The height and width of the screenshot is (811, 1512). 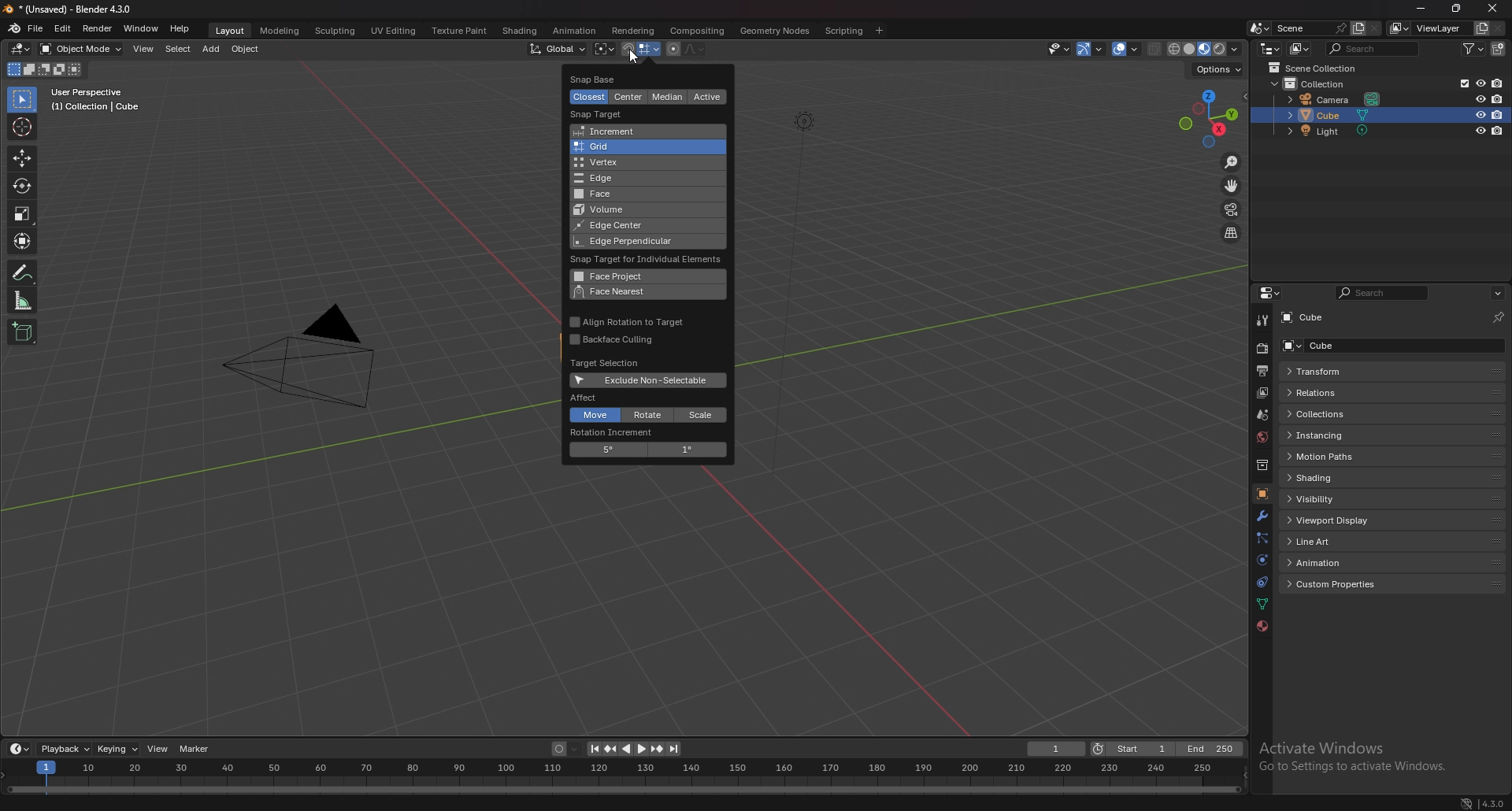 What do you see at coordinates (1261, 537) in the screenshot?
I see `particles` at bounding box center [1261, 537].